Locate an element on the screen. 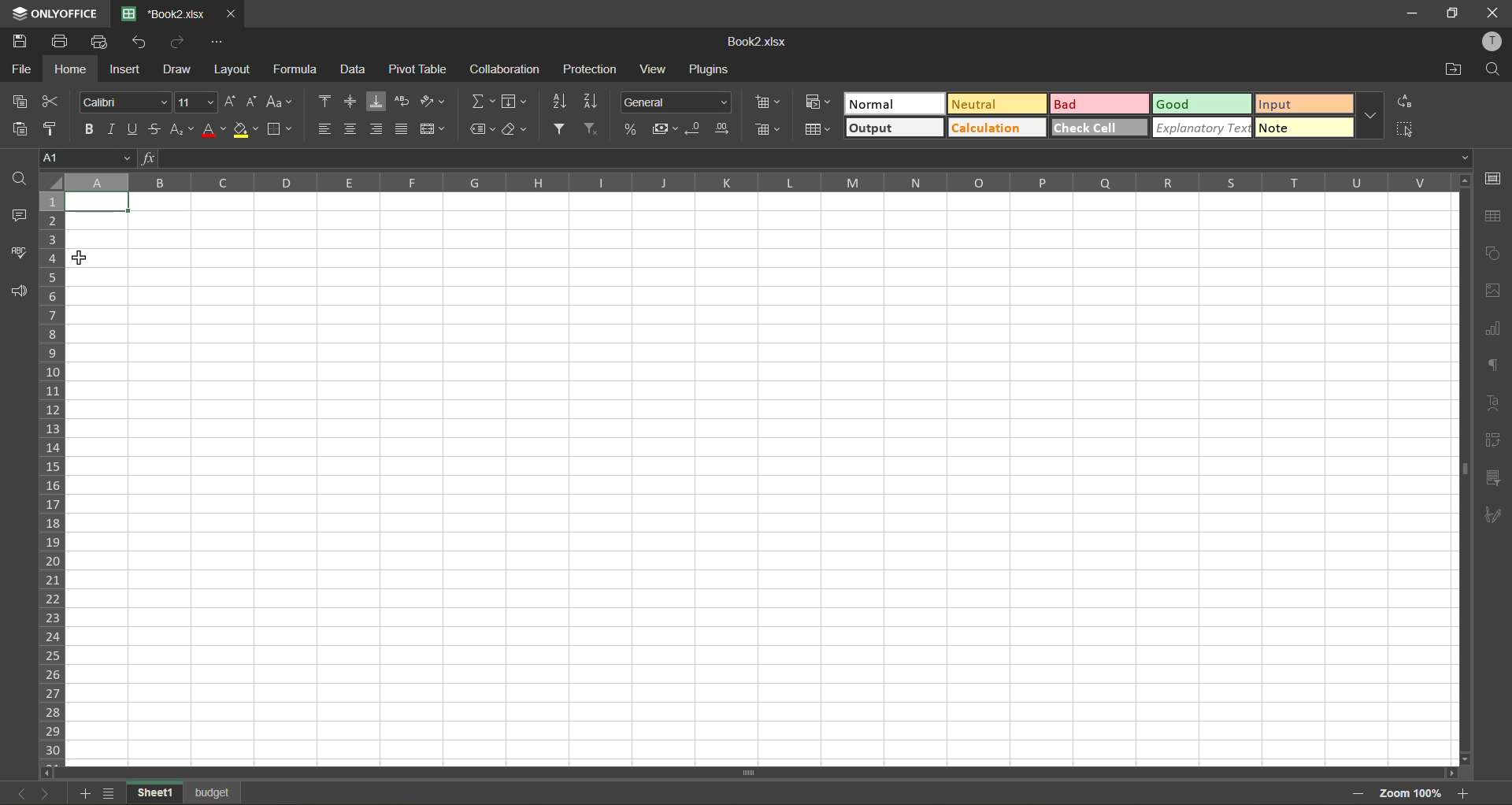  slicer is located at coordinates (1495, 479).